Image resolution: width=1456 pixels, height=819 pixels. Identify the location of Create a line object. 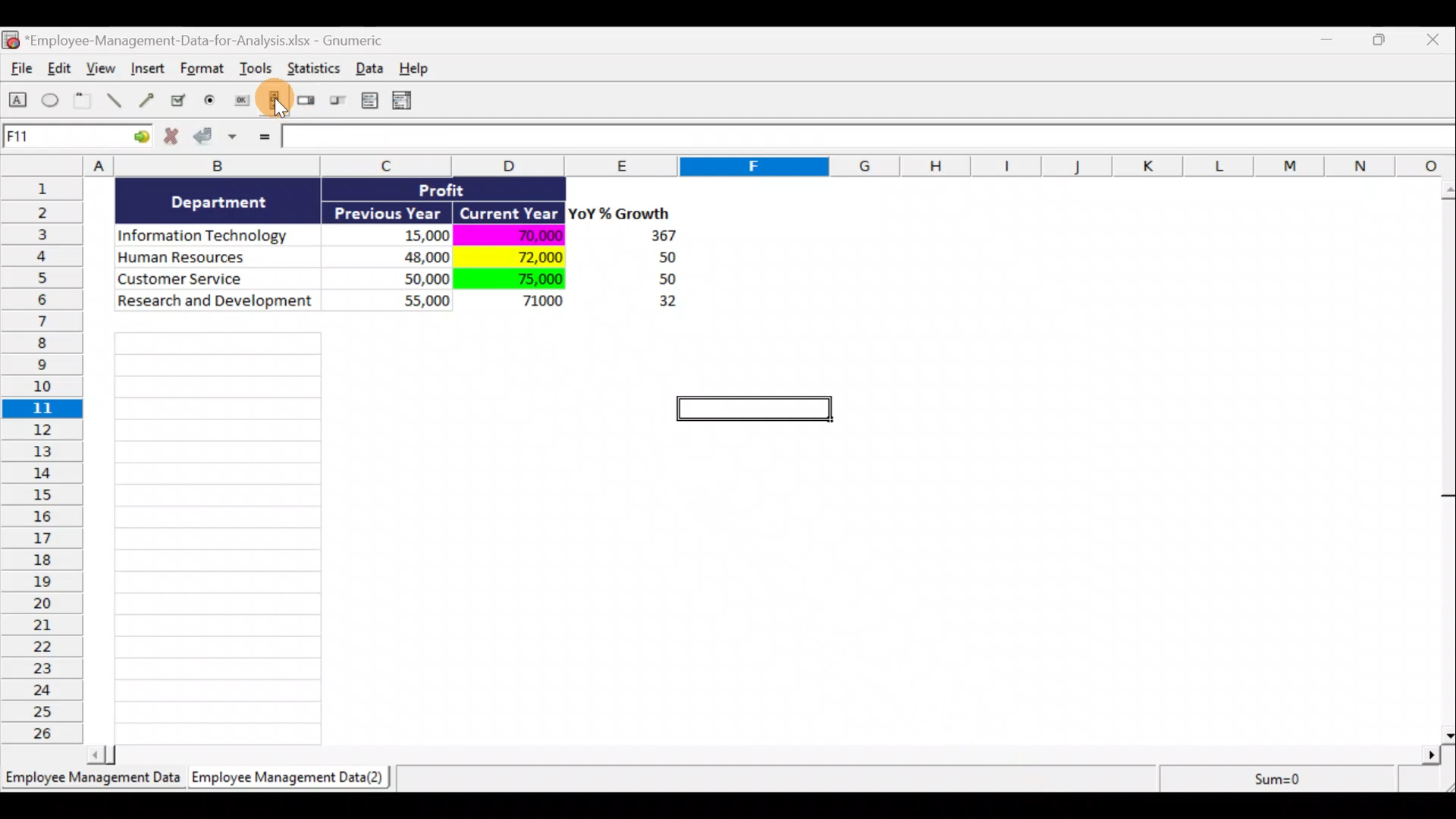
(117, 101).